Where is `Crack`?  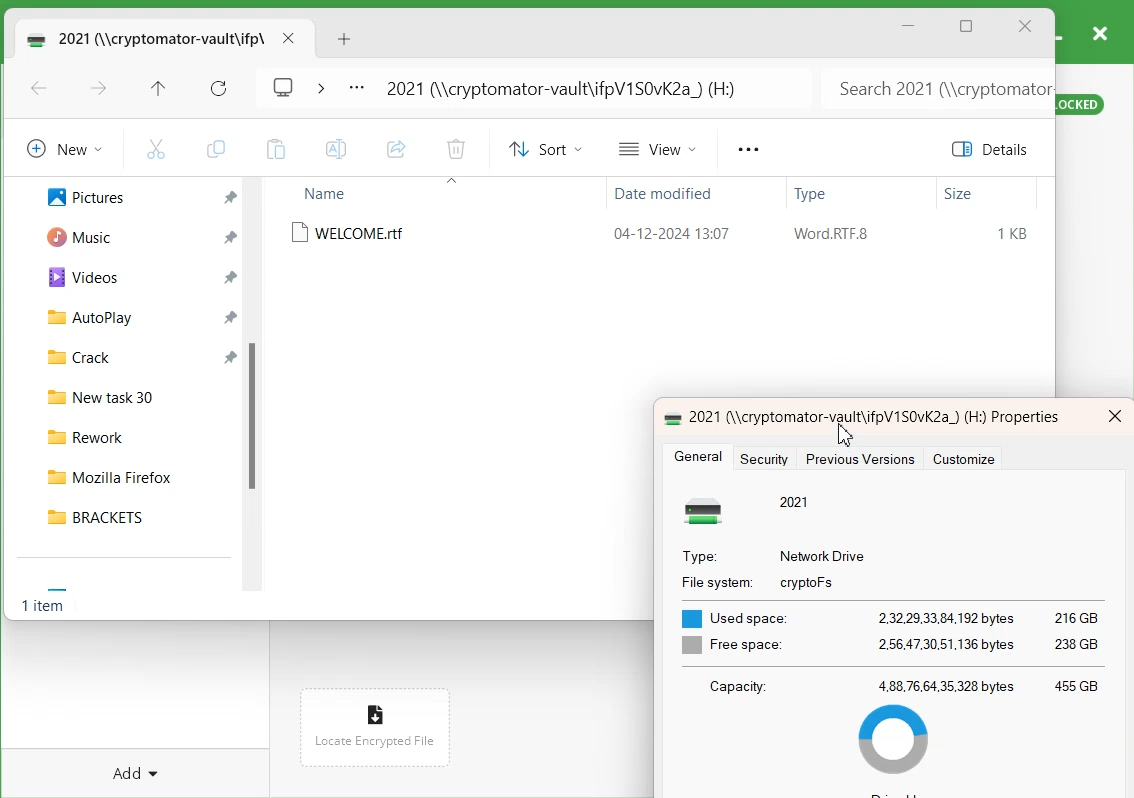
Crack is located at coordinates (70, 355).